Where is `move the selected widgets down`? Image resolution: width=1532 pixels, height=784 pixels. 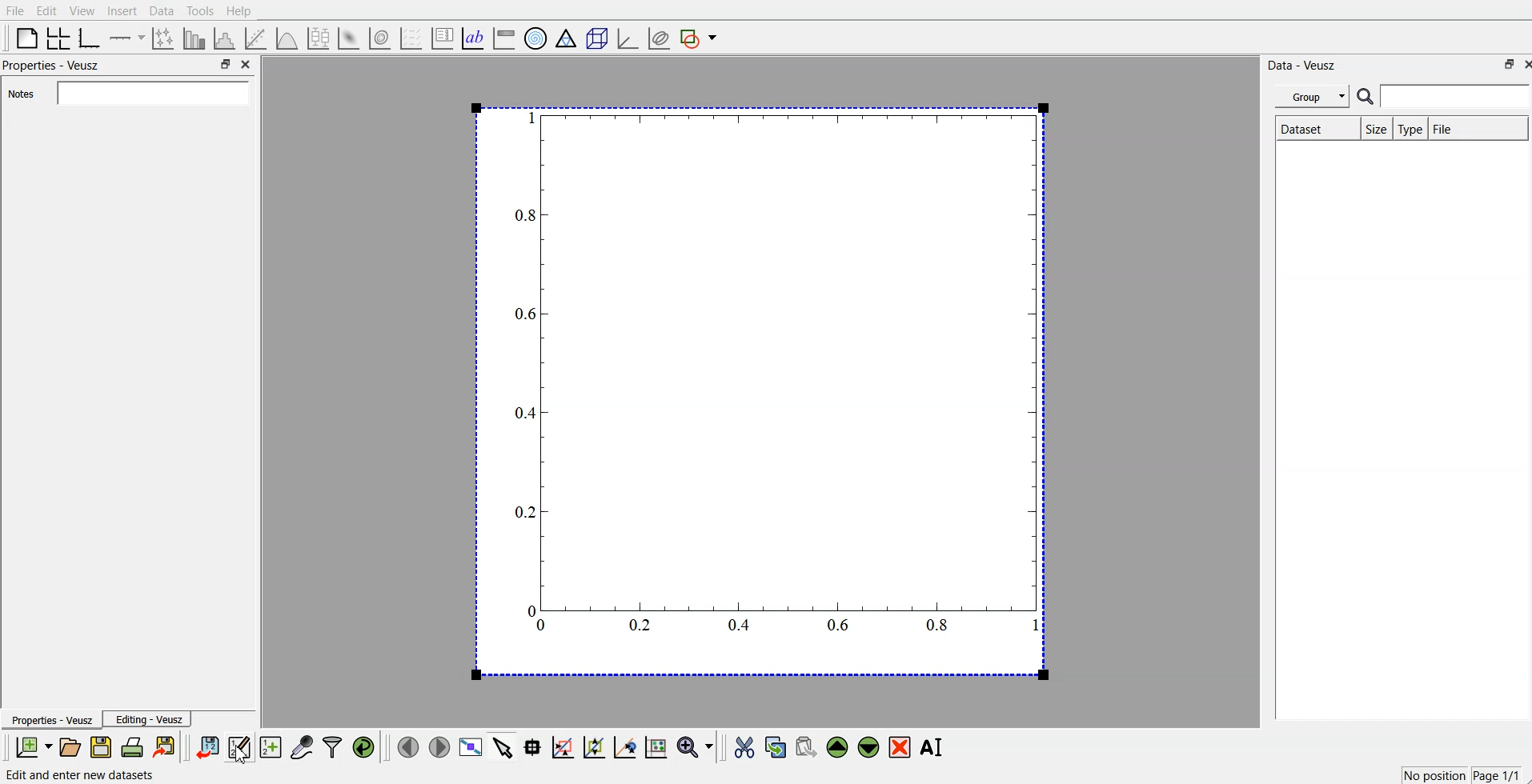 move the selected widgets down is located at coordinates (868, 747).